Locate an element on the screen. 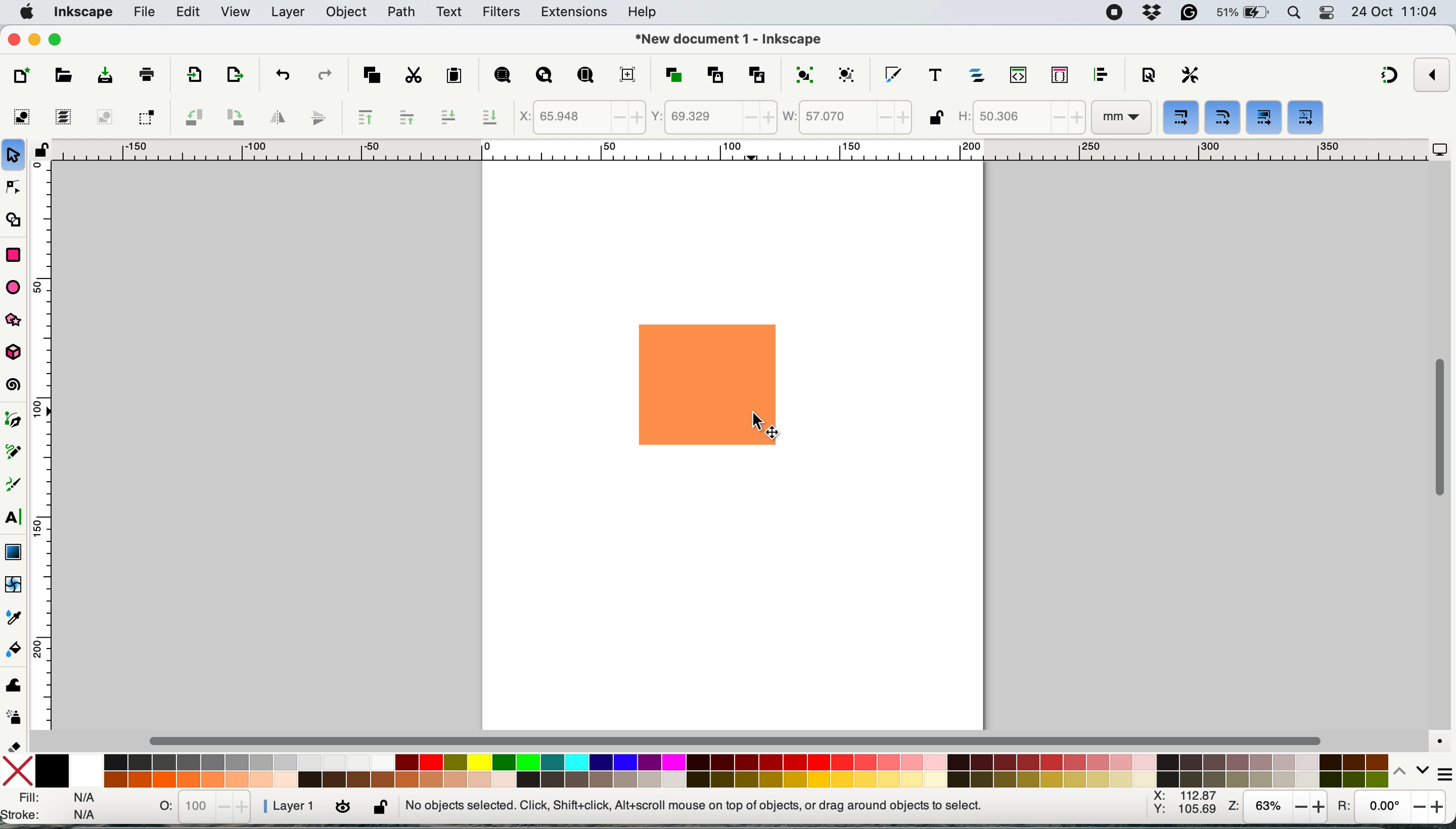 Image resolution: width=1456 pixels, height=829 pixels. minimise is located at coordinates (34, 38).